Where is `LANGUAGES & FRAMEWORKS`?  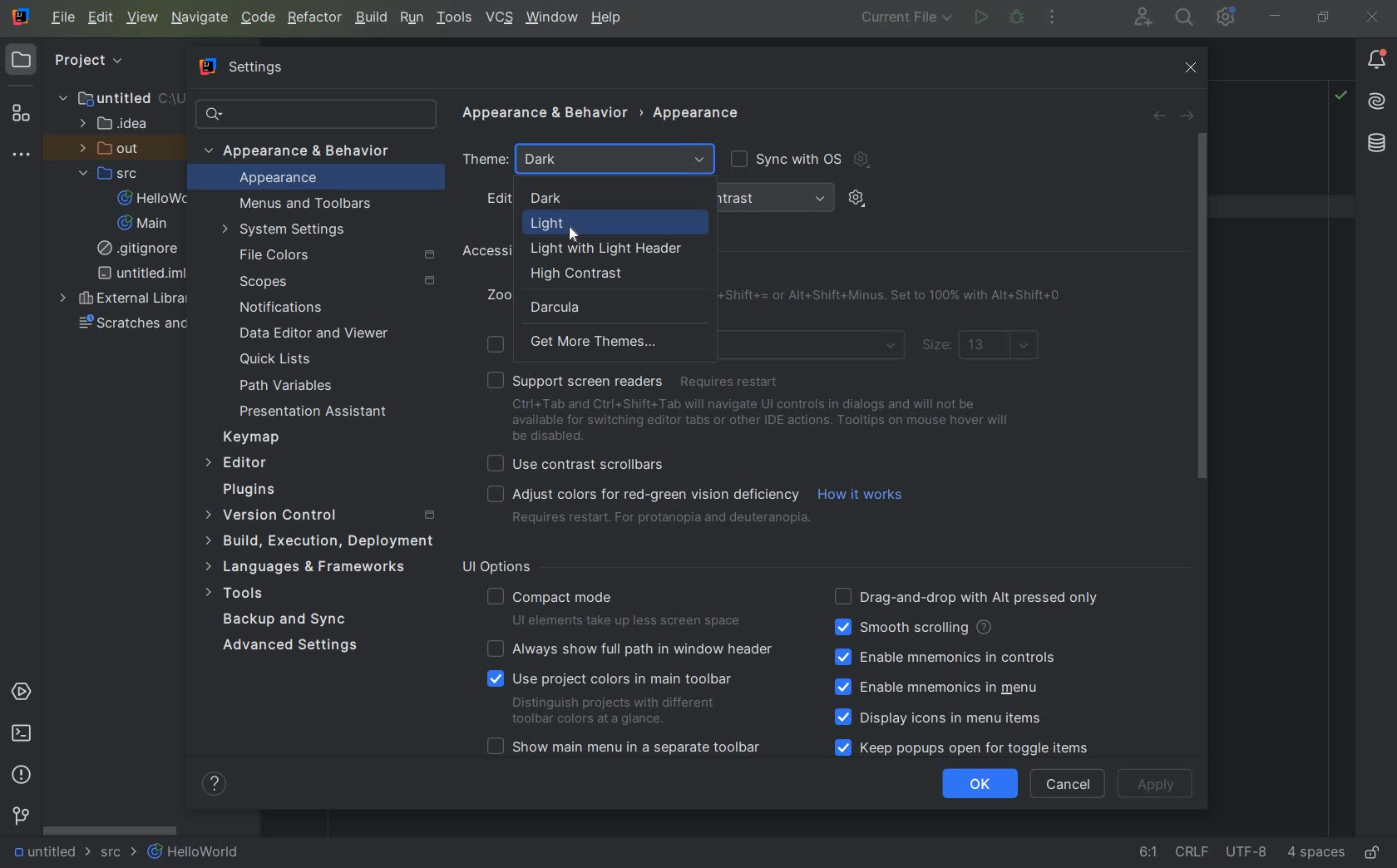
LANGUAGES & FRAMEWORKS is located at coordinates (314, 568).